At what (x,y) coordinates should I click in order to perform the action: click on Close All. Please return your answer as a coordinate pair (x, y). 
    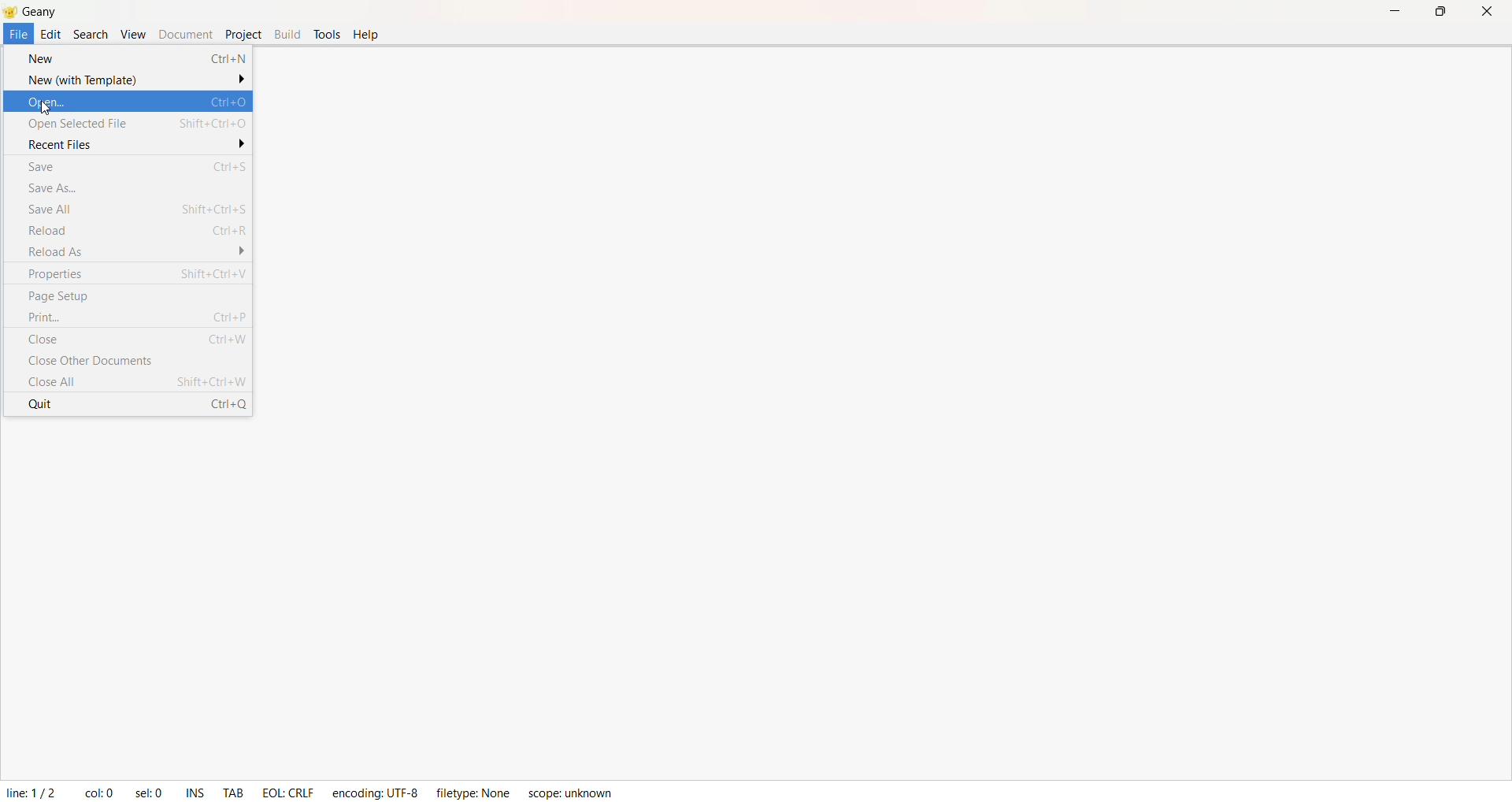
    Looking at the image, I should click on (135, 382).